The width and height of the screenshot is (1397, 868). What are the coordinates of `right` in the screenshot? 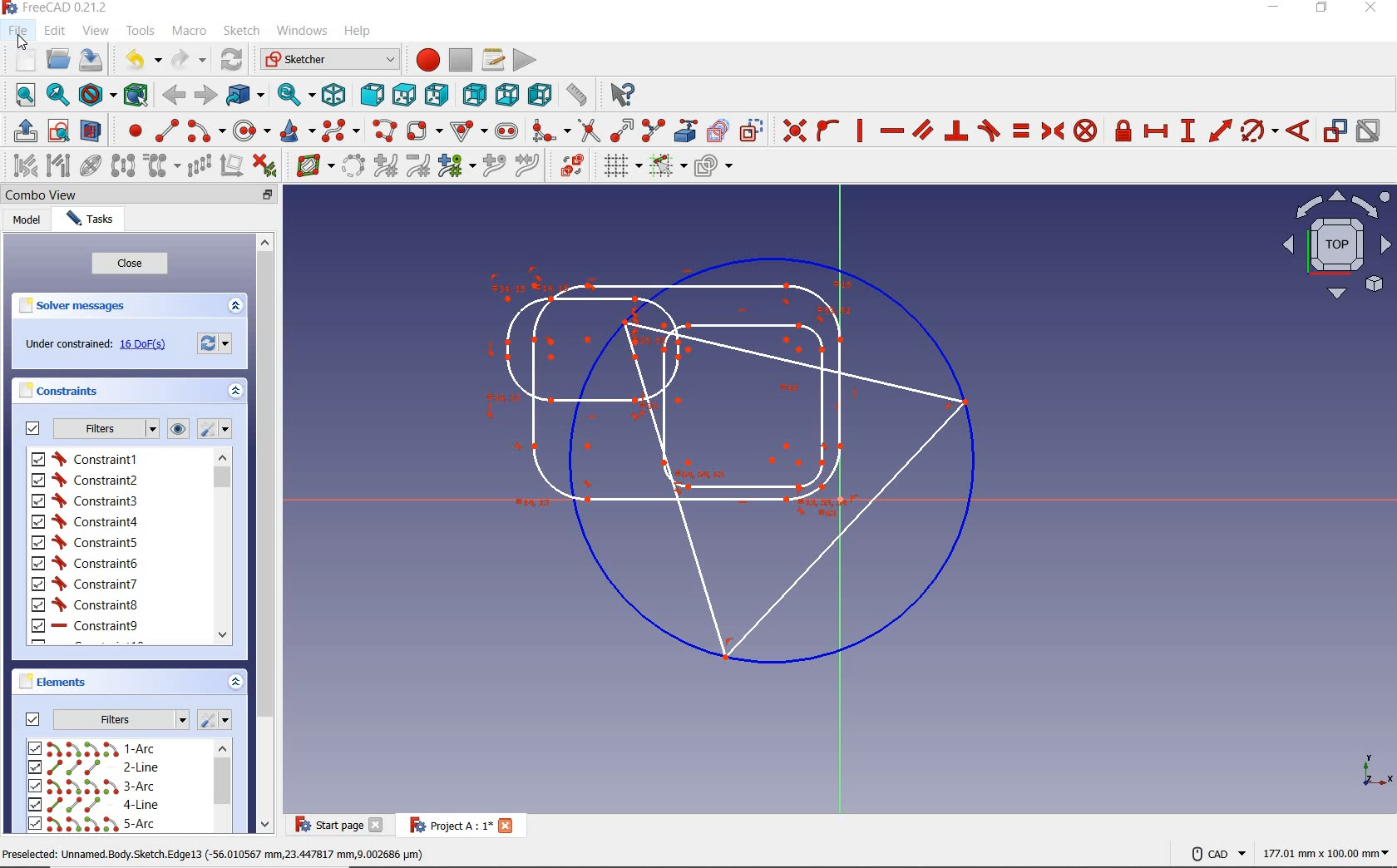 It's located at (435, 94).